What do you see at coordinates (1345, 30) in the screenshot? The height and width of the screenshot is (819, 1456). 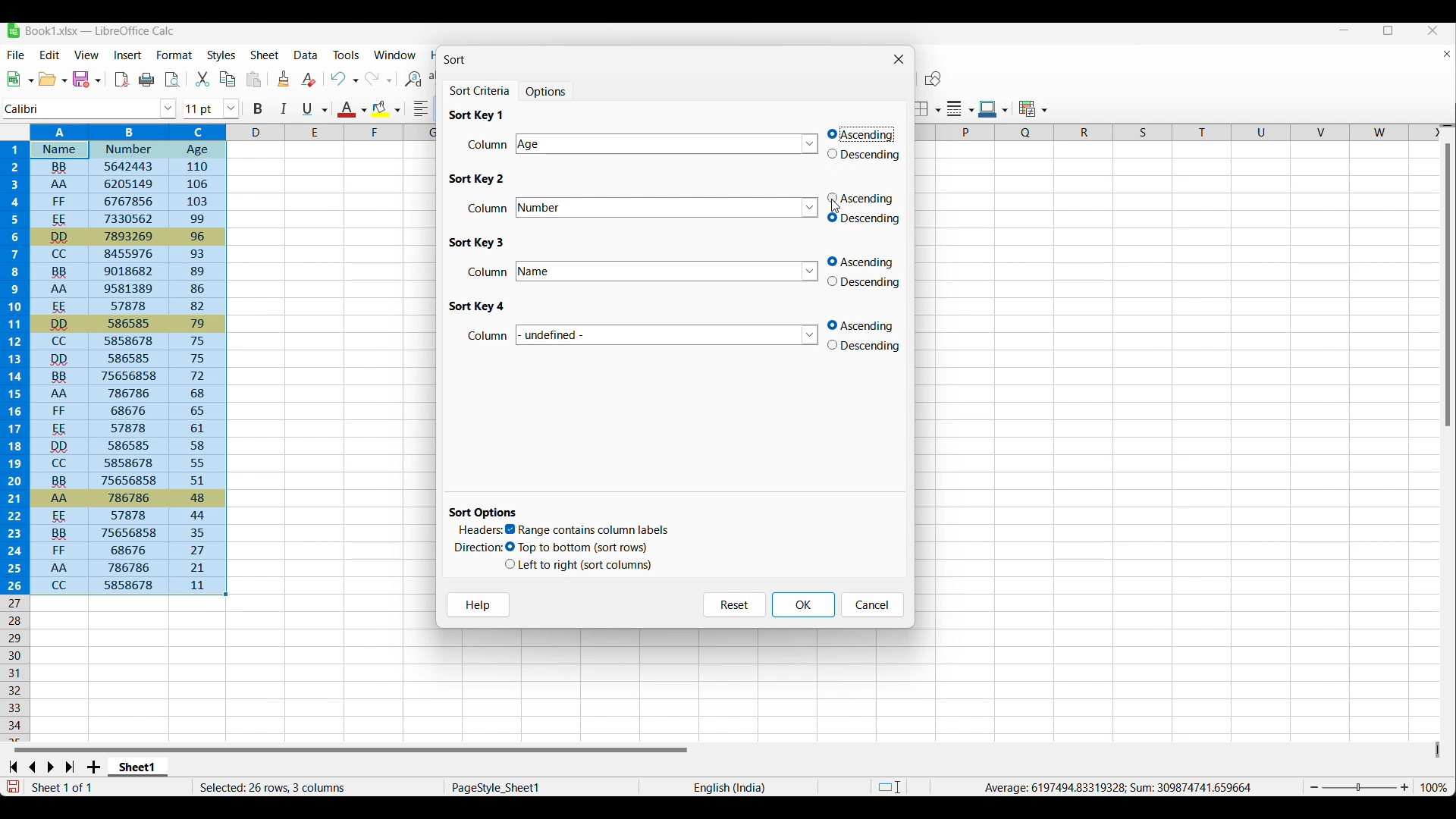 I see `Minimize` at bounding box center [1345, 30].